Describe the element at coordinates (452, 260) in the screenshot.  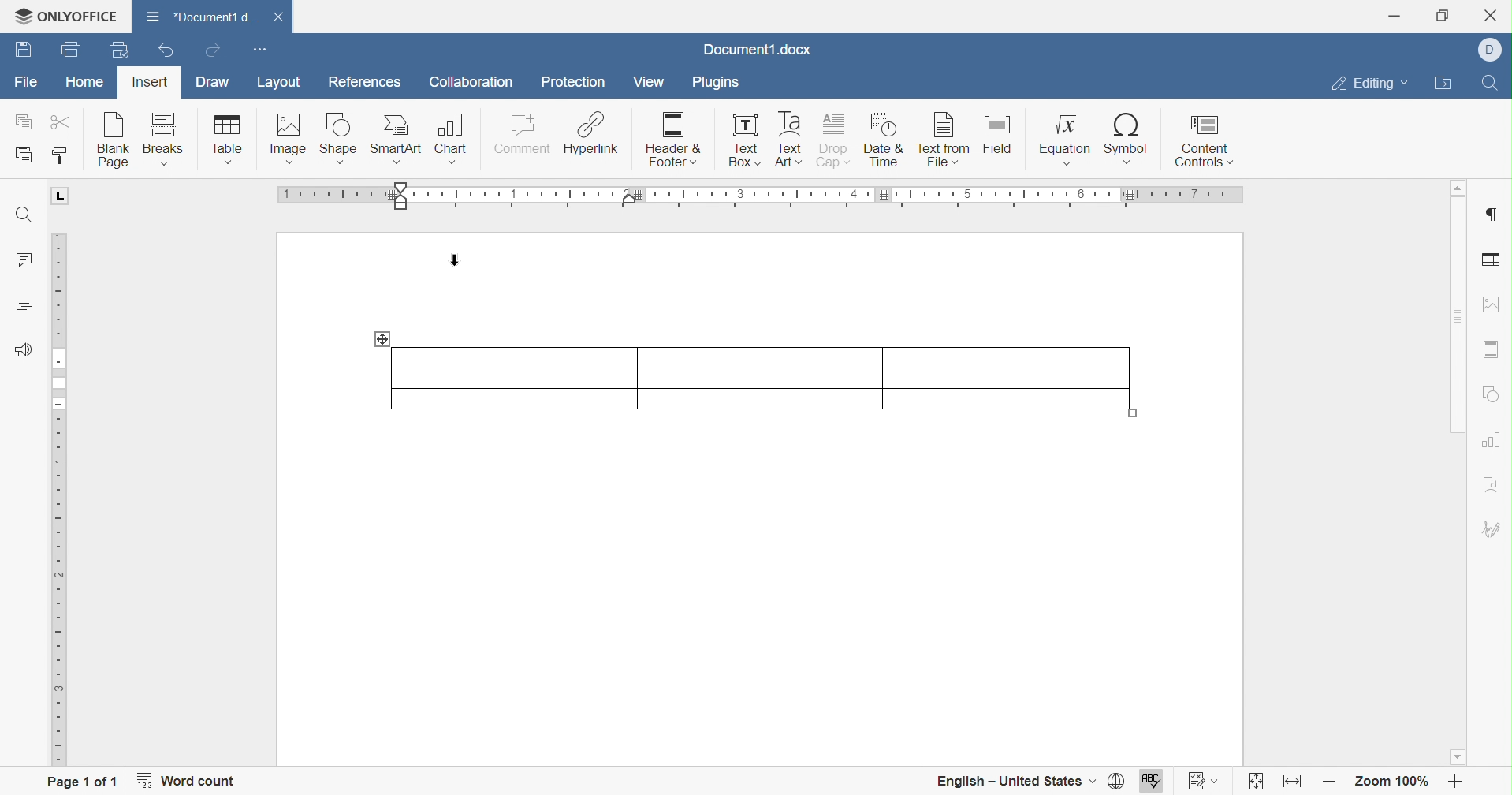
I see `Cursor` at that location.